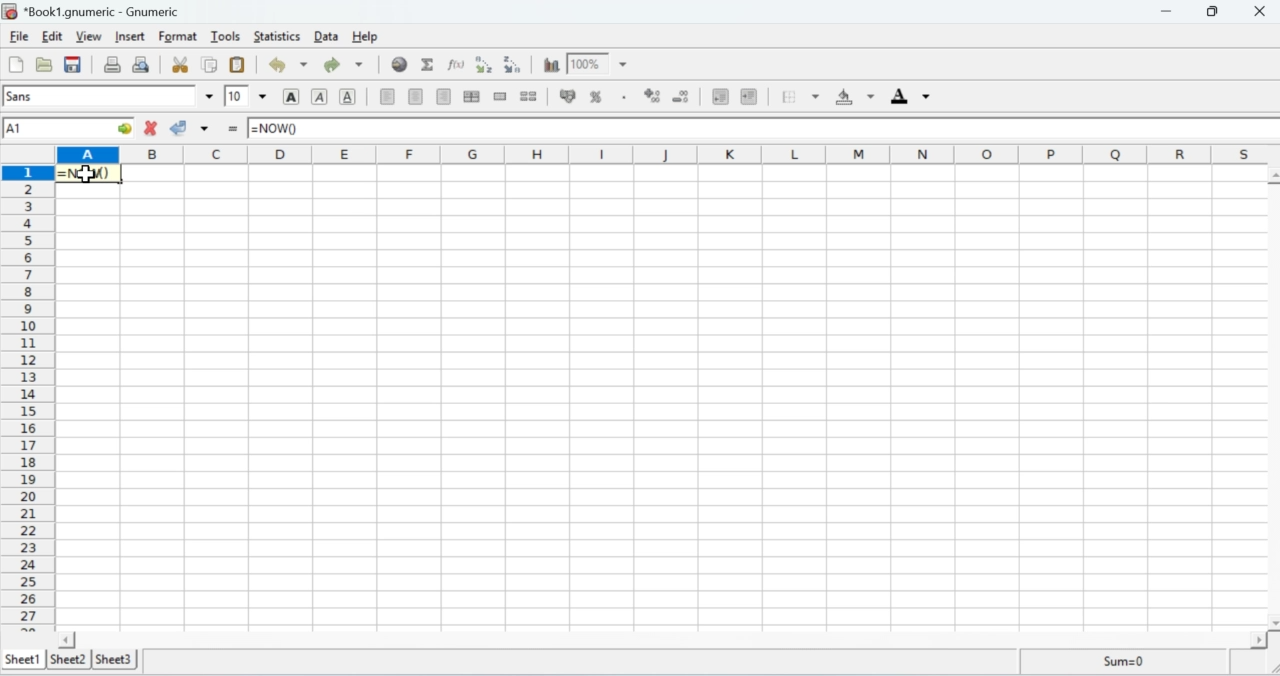 This screenshot has height=676, width=1280. I want to click on Statistics, so click(278, 37).